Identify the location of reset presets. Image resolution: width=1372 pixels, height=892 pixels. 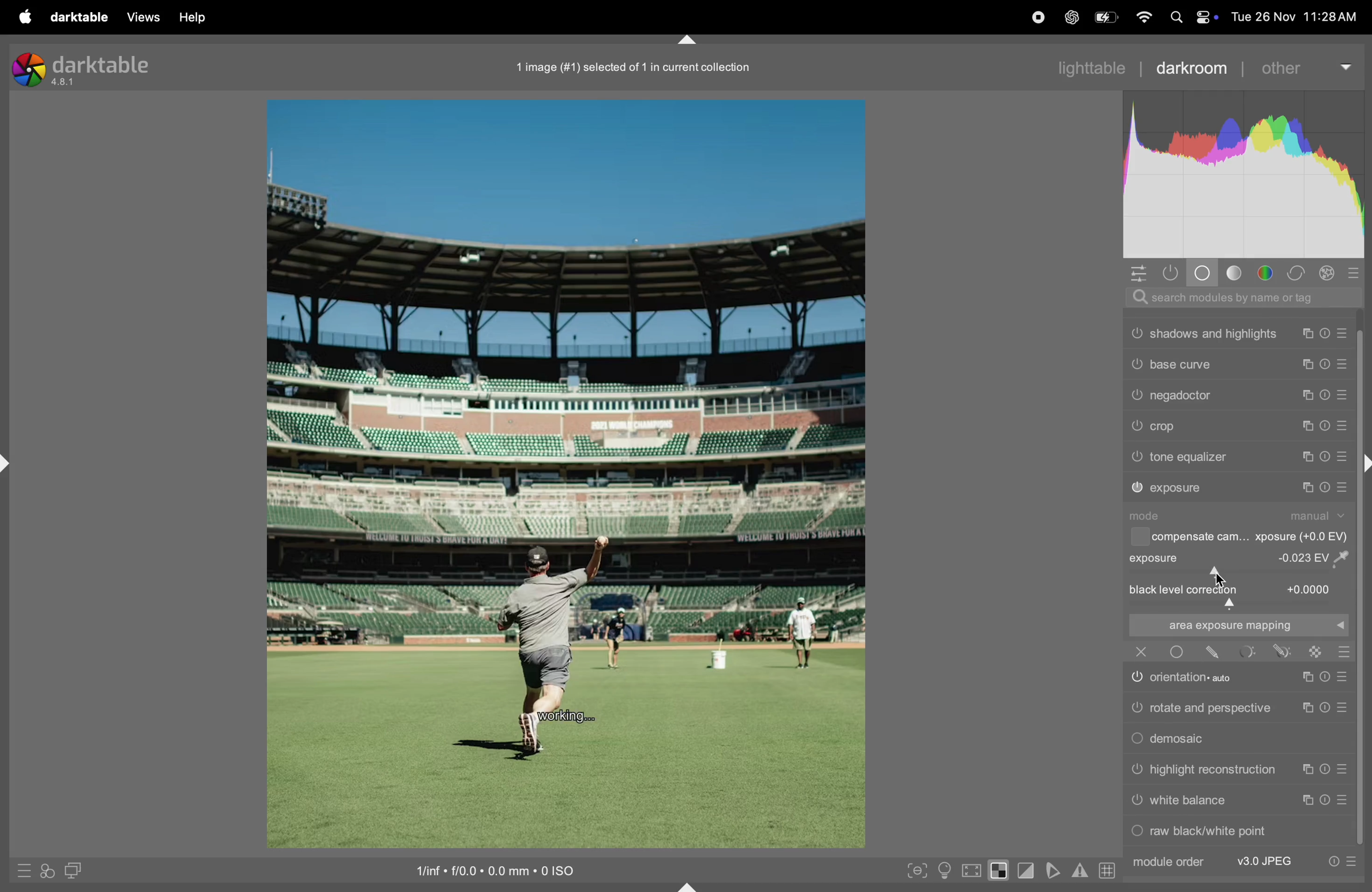
(1327, 394).